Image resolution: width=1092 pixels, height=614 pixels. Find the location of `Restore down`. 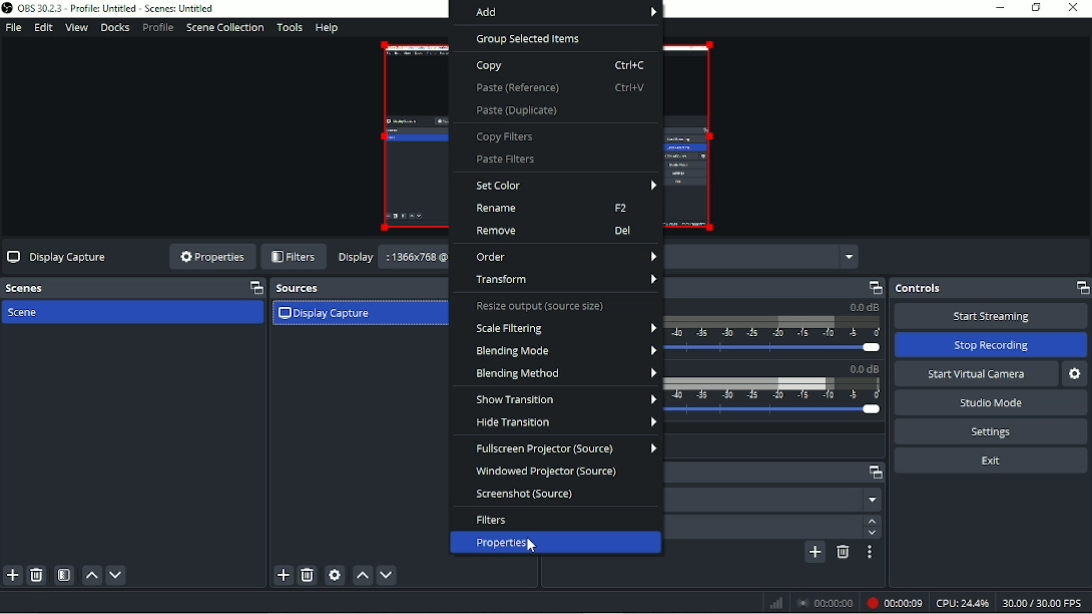

Restore down is located at coordinates (1036, 8).